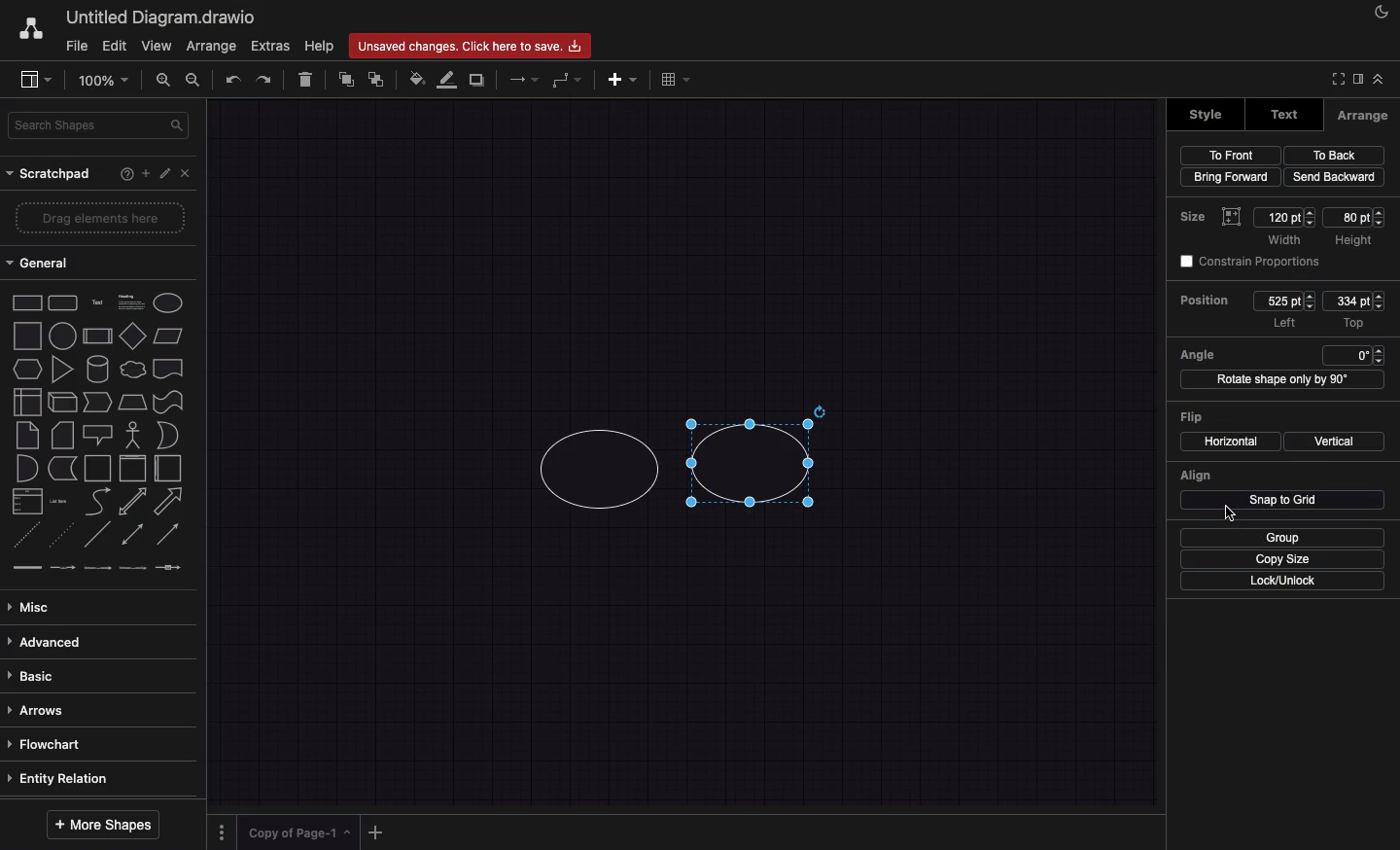 This screenshot has width=1400, height=850. Describe the element at coordinates (145, 173) in the screenshot. I see `add` at that location.